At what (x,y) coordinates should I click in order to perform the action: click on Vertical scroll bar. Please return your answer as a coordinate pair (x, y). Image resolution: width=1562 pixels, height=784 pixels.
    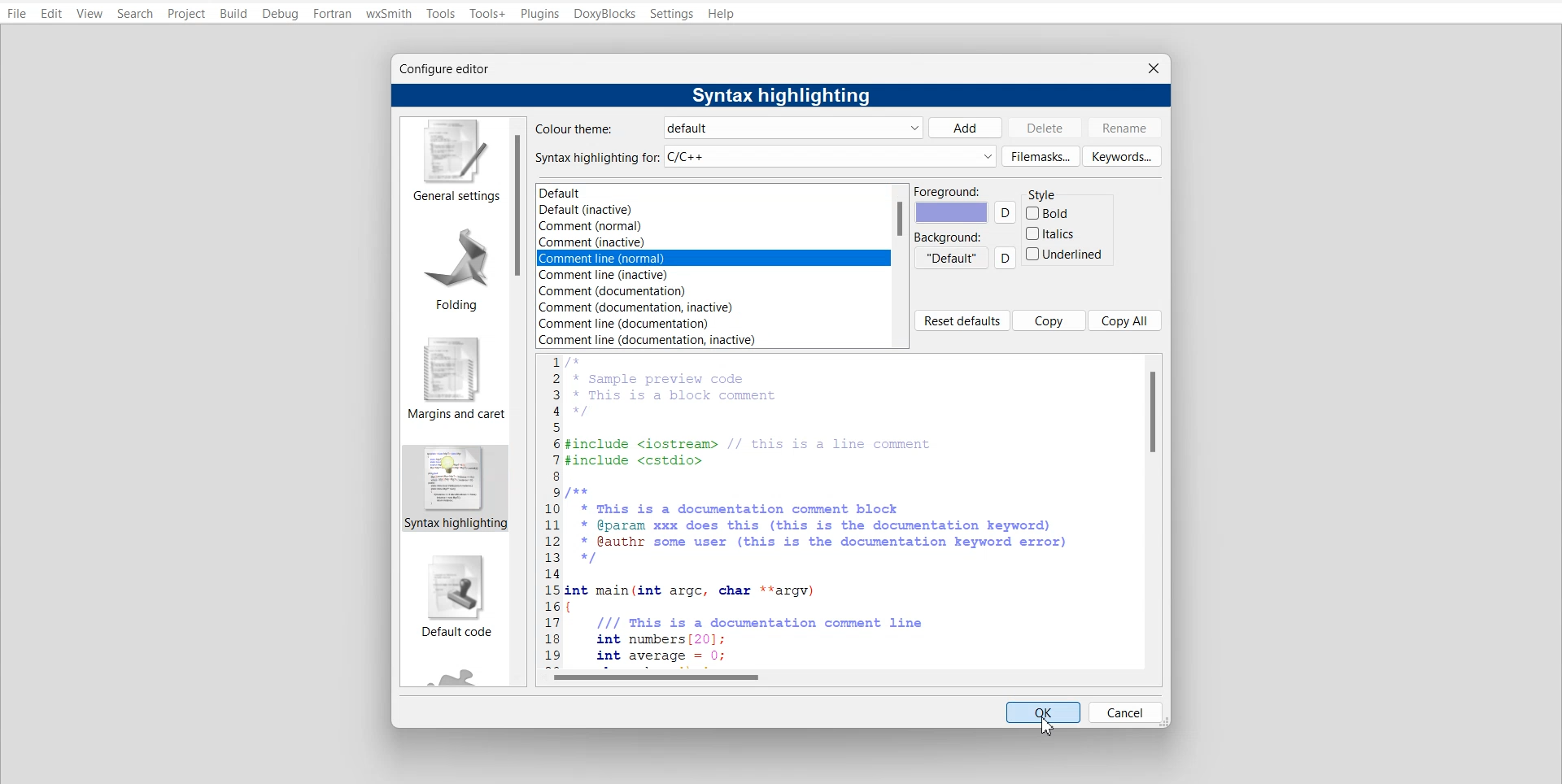
    Looking at the image, I should click on (520, 403).